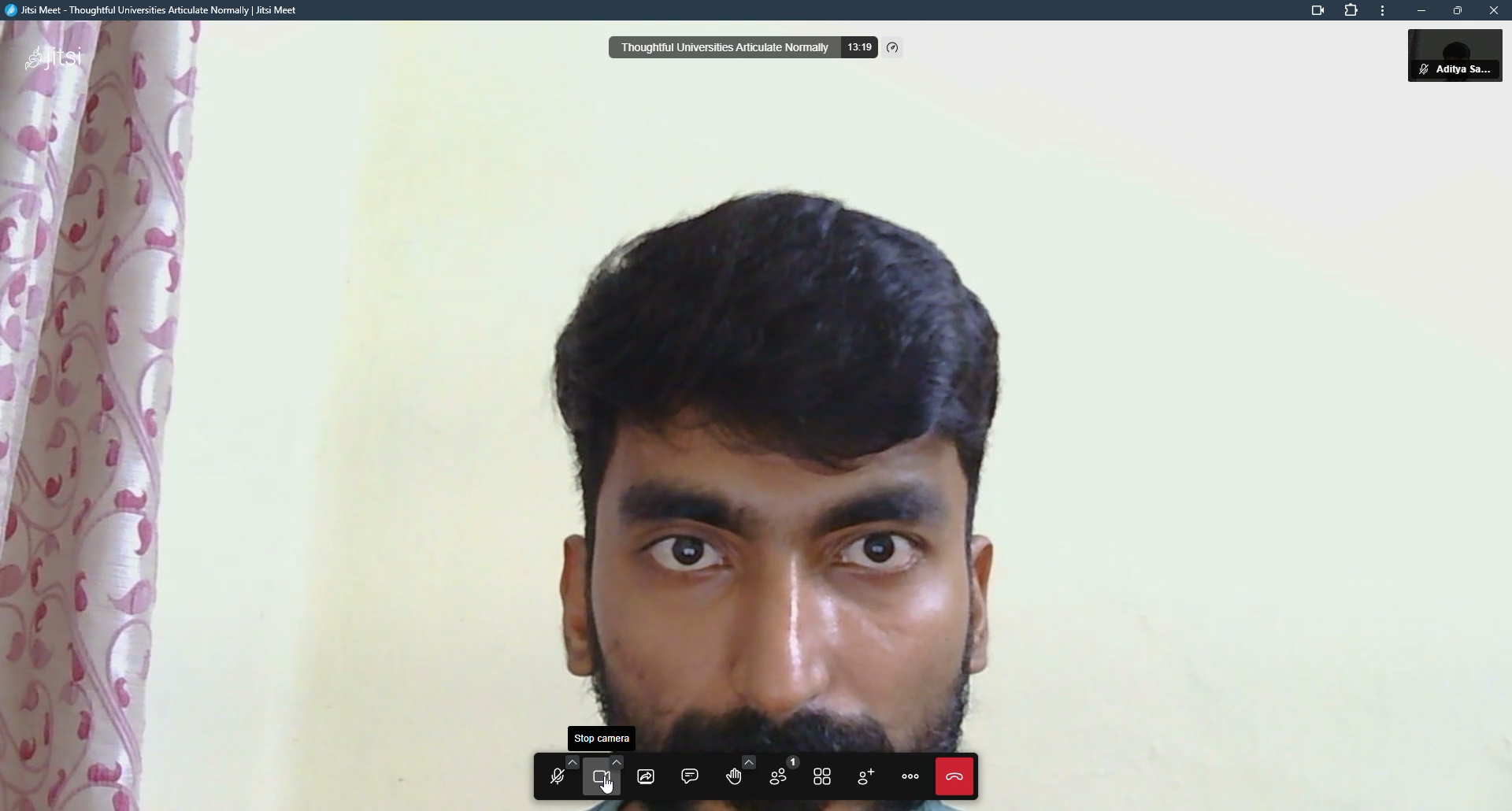 The height and width of the screenshot is (811, 1512). Describe the element at coordinates (646, 775) in the screenshot. I see `start screen sharing` at that location.